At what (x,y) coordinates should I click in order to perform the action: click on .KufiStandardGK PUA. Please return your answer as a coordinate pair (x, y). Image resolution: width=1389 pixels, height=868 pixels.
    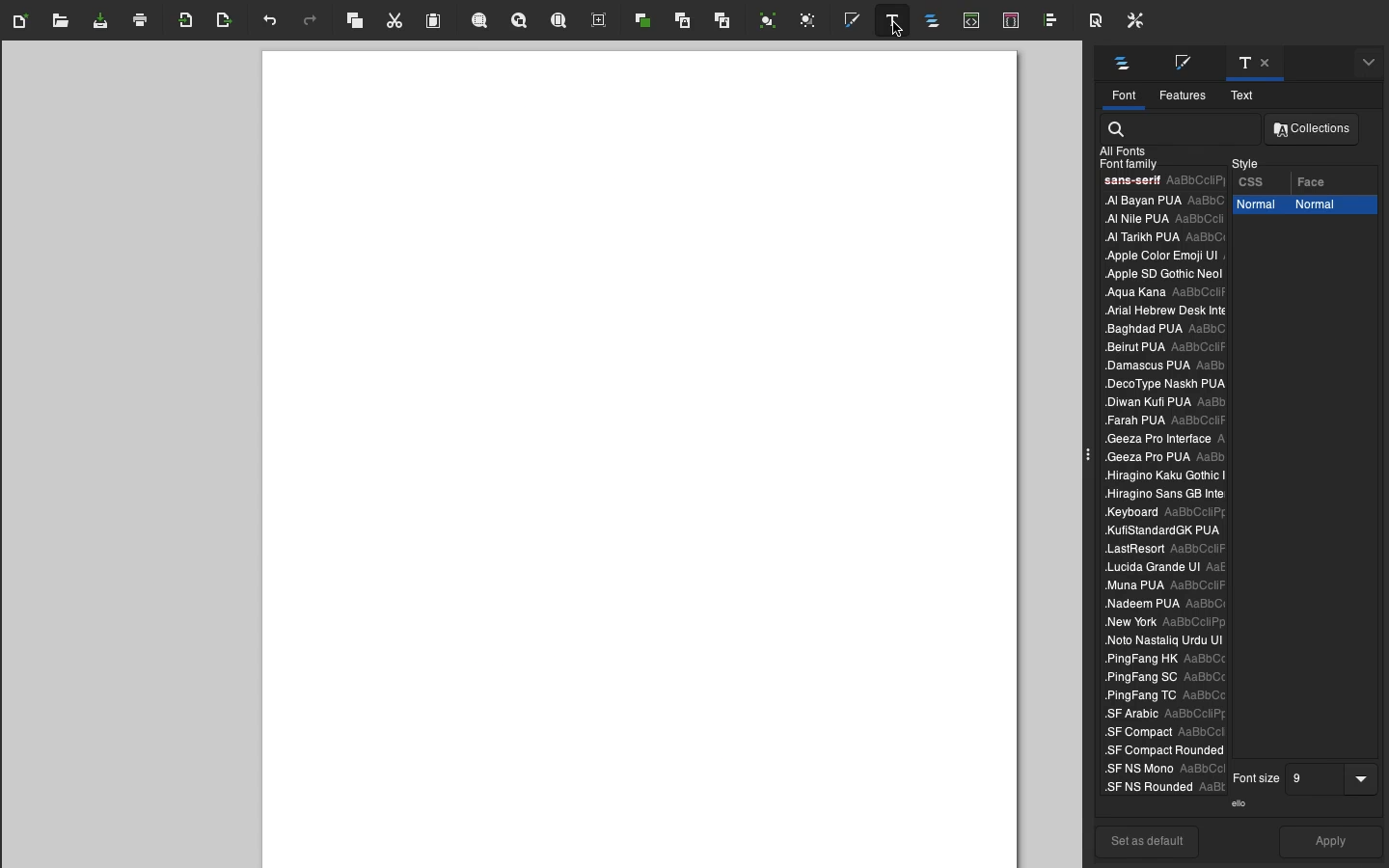
    Looking at the image, I should click on (1167, 531).